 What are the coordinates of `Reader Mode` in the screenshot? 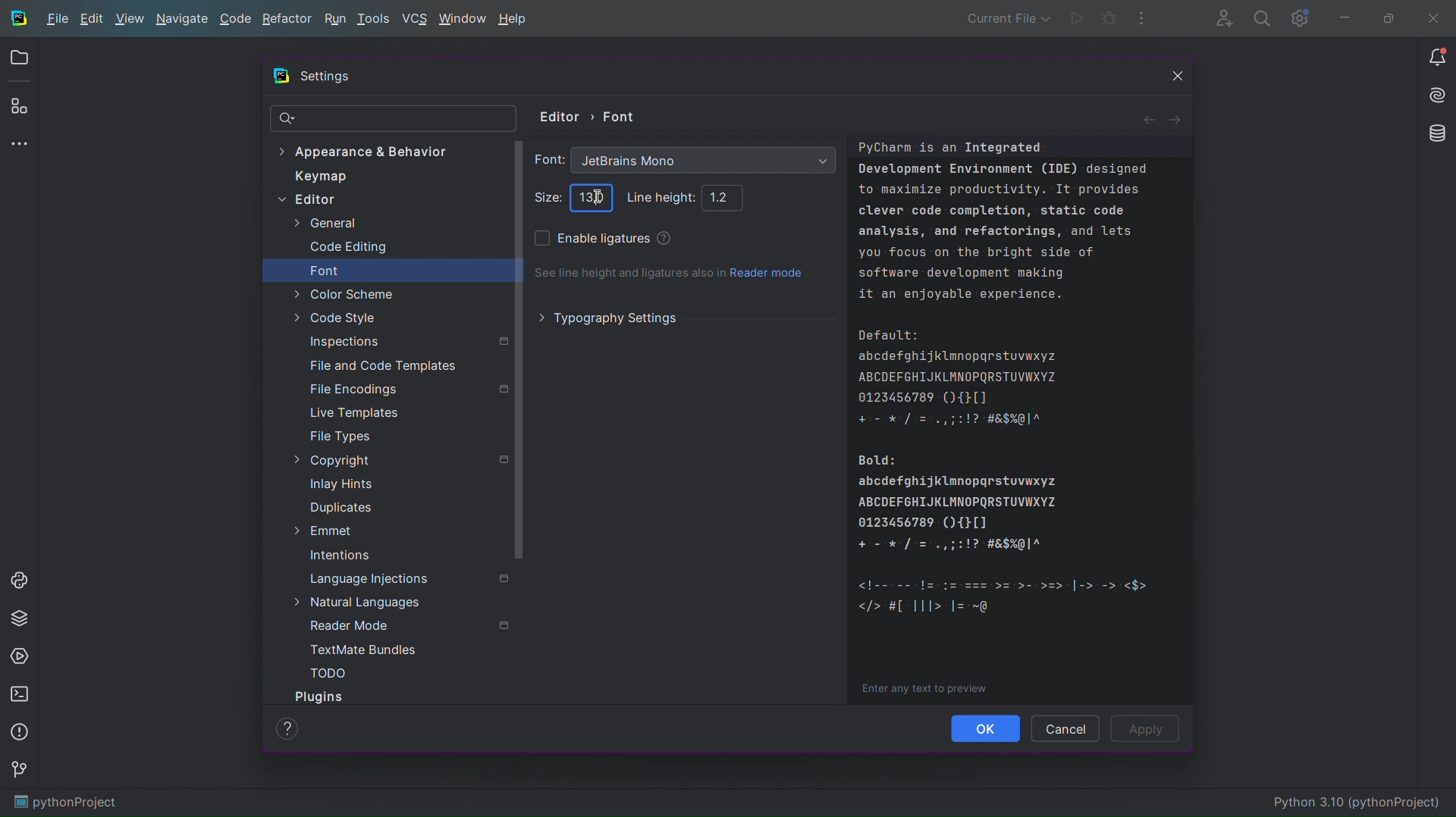 It's located at (407, 625).